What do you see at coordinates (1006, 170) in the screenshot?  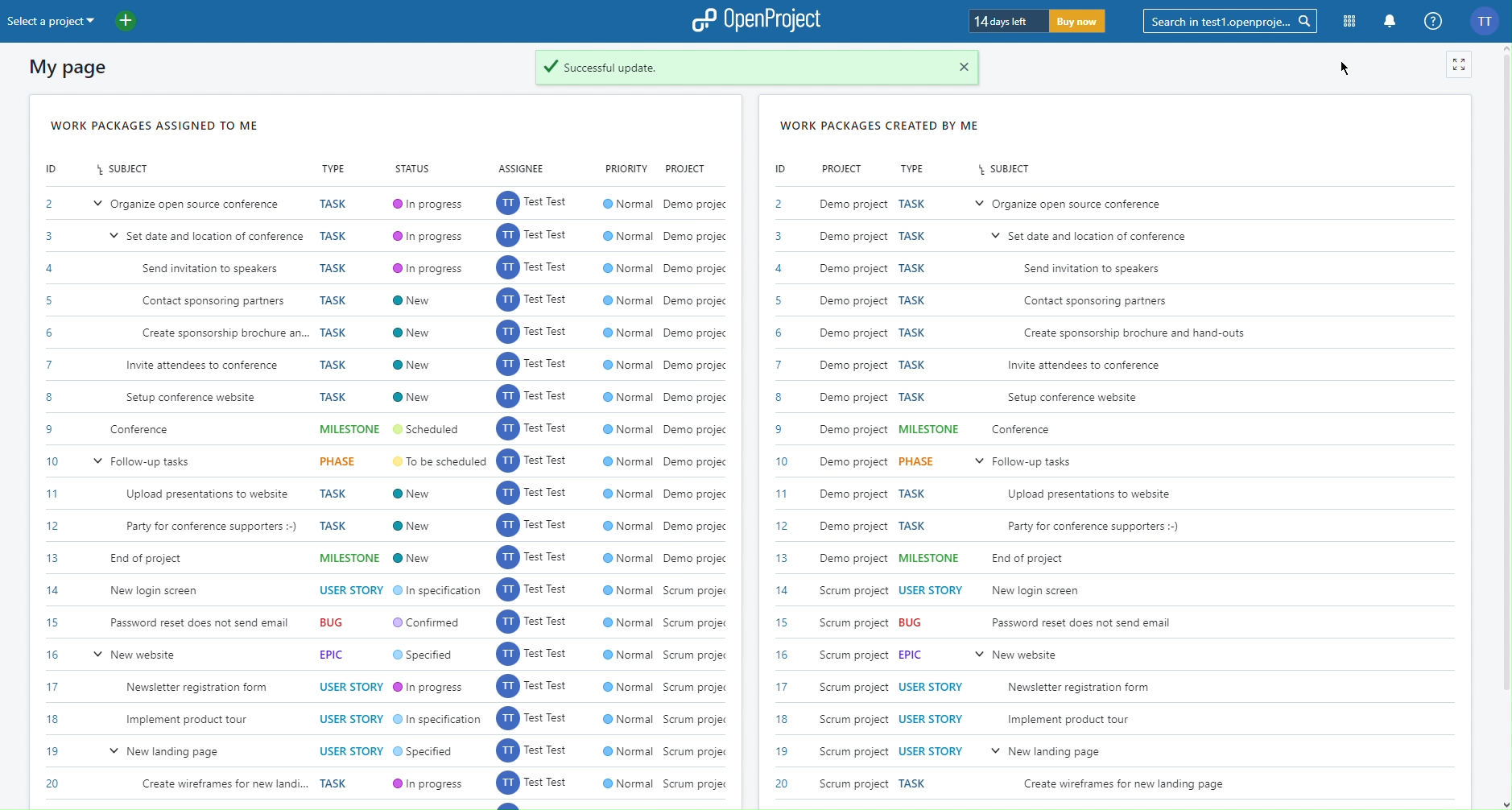 I see `Subject` at bounding box center [1006, 170].